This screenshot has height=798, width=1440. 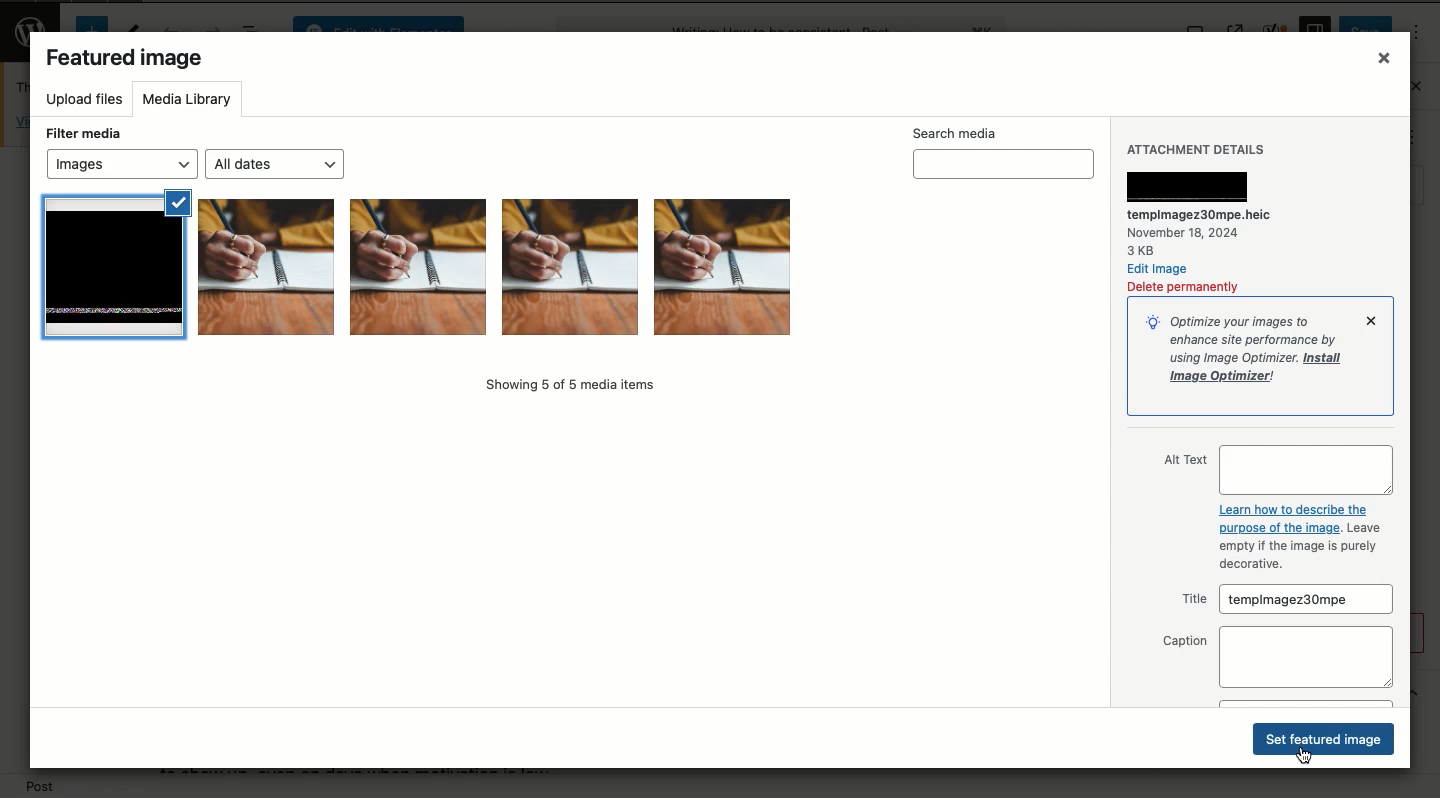 What do you see at coordinates (1289, 511) in the screenshot?
I see `Learn how to describe the` at bounding box center [1289, 511].